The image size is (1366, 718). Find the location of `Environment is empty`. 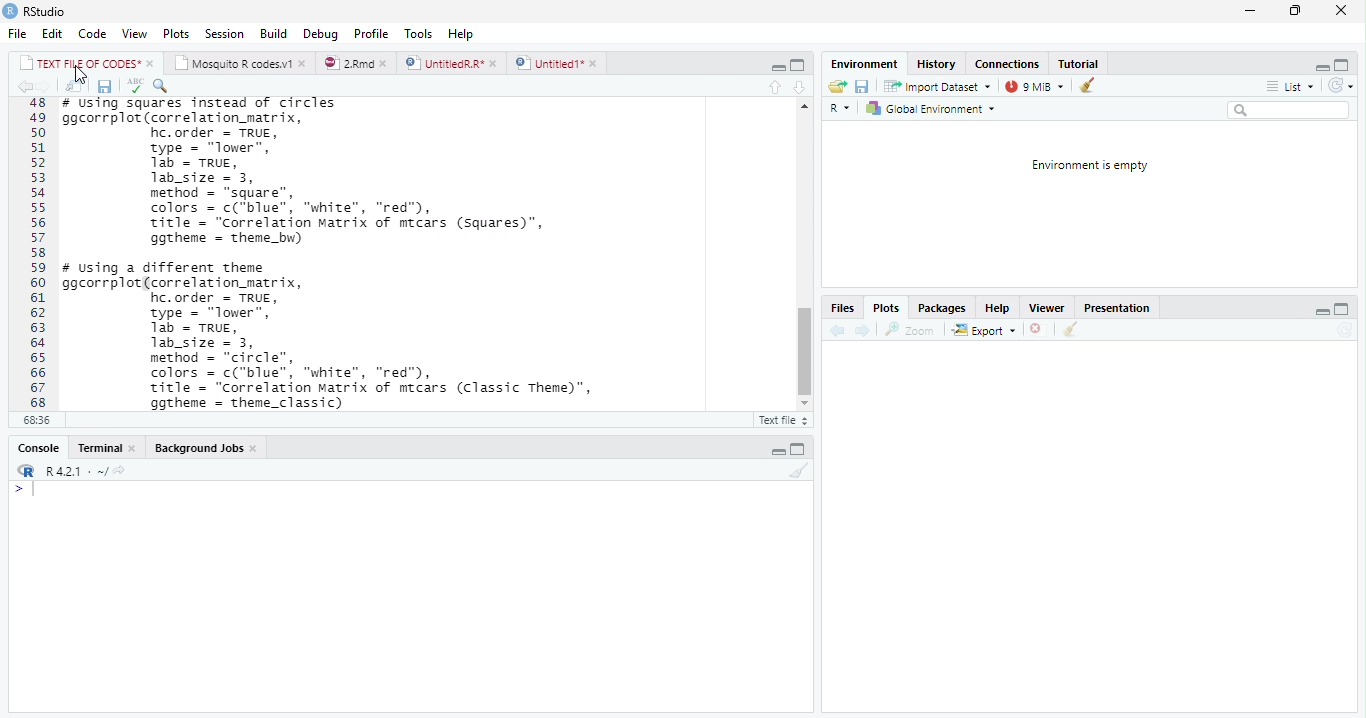

Environment is empty is located at coordinates (1089, 166).